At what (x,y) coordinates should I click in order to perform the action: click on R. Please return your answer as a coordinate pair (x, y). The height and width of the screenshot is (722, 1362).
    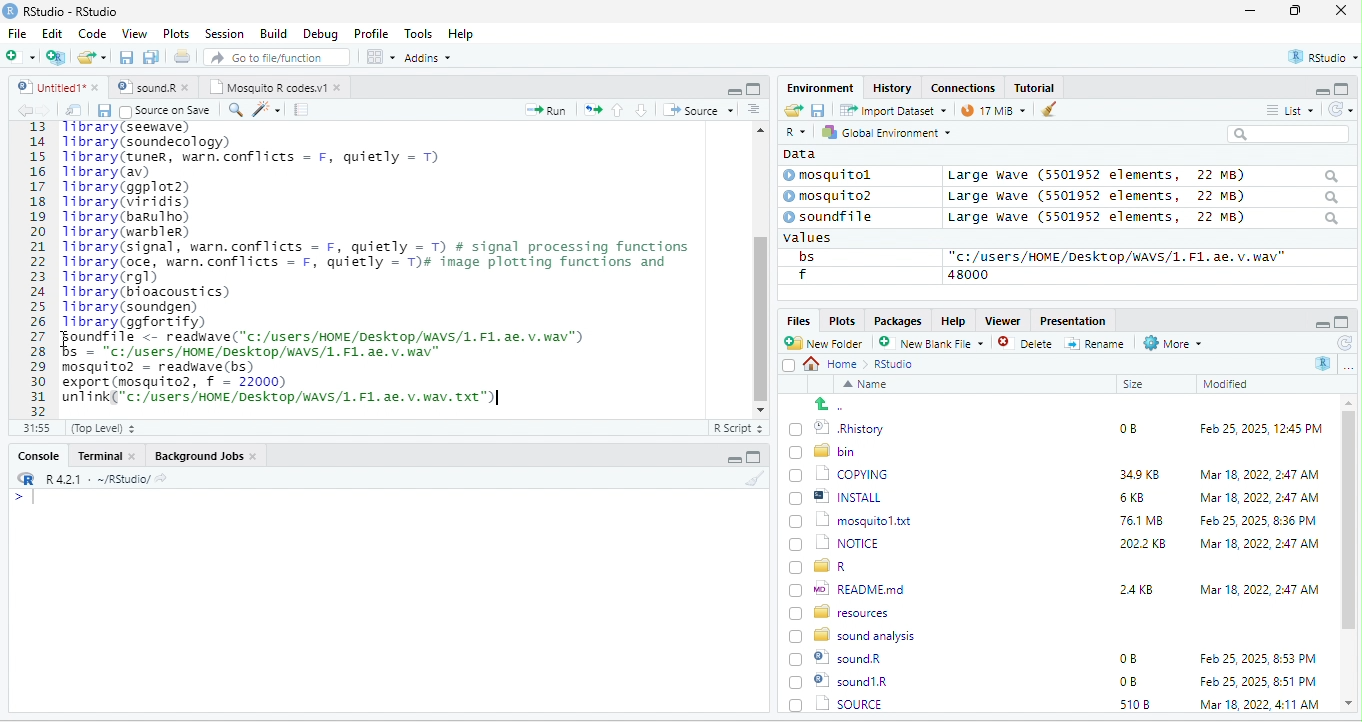
    Looking at the image, I should click on (794, 133).